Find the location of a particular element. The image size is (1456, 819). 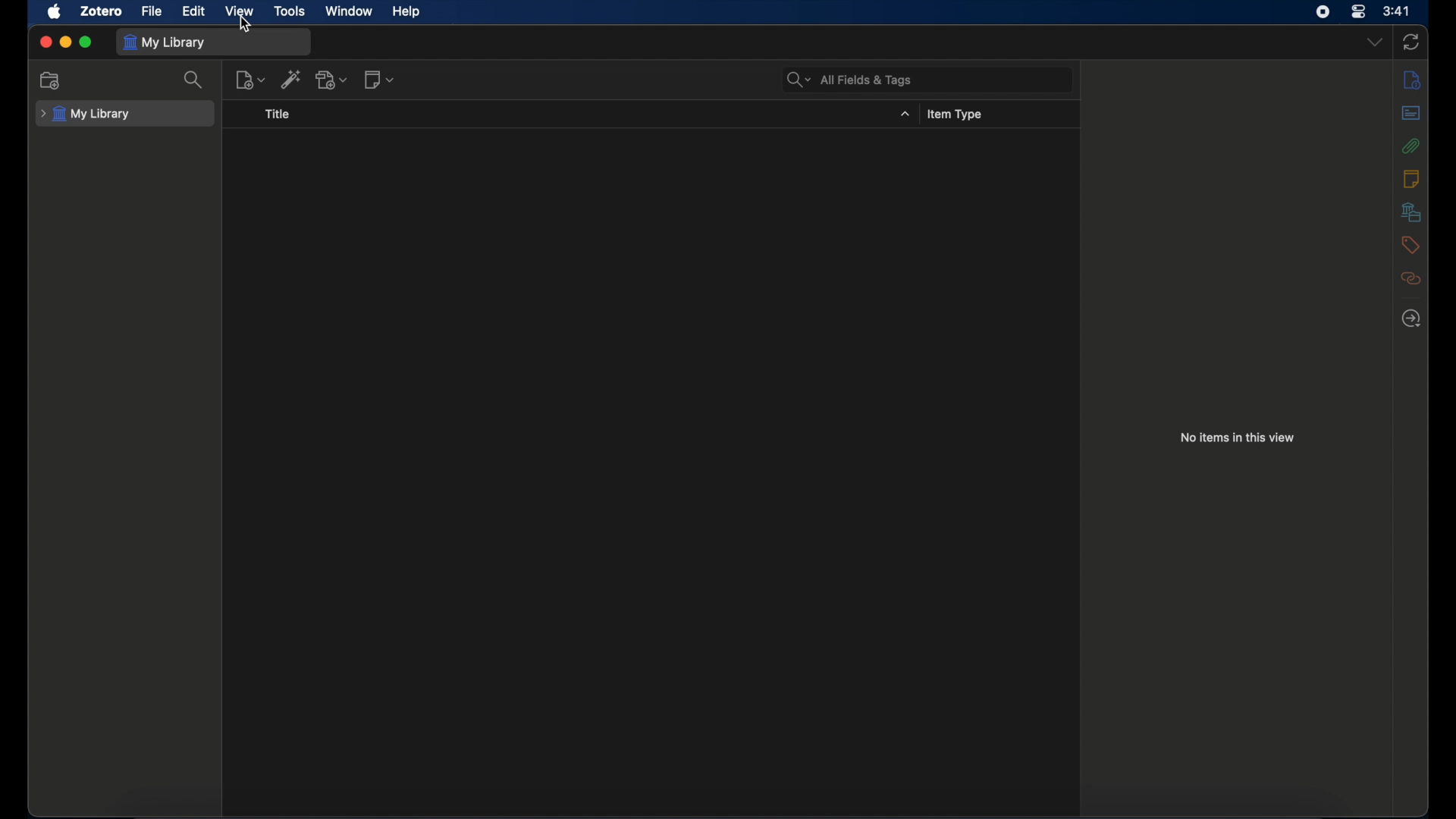

sync is located at coordinates (1411, 42).